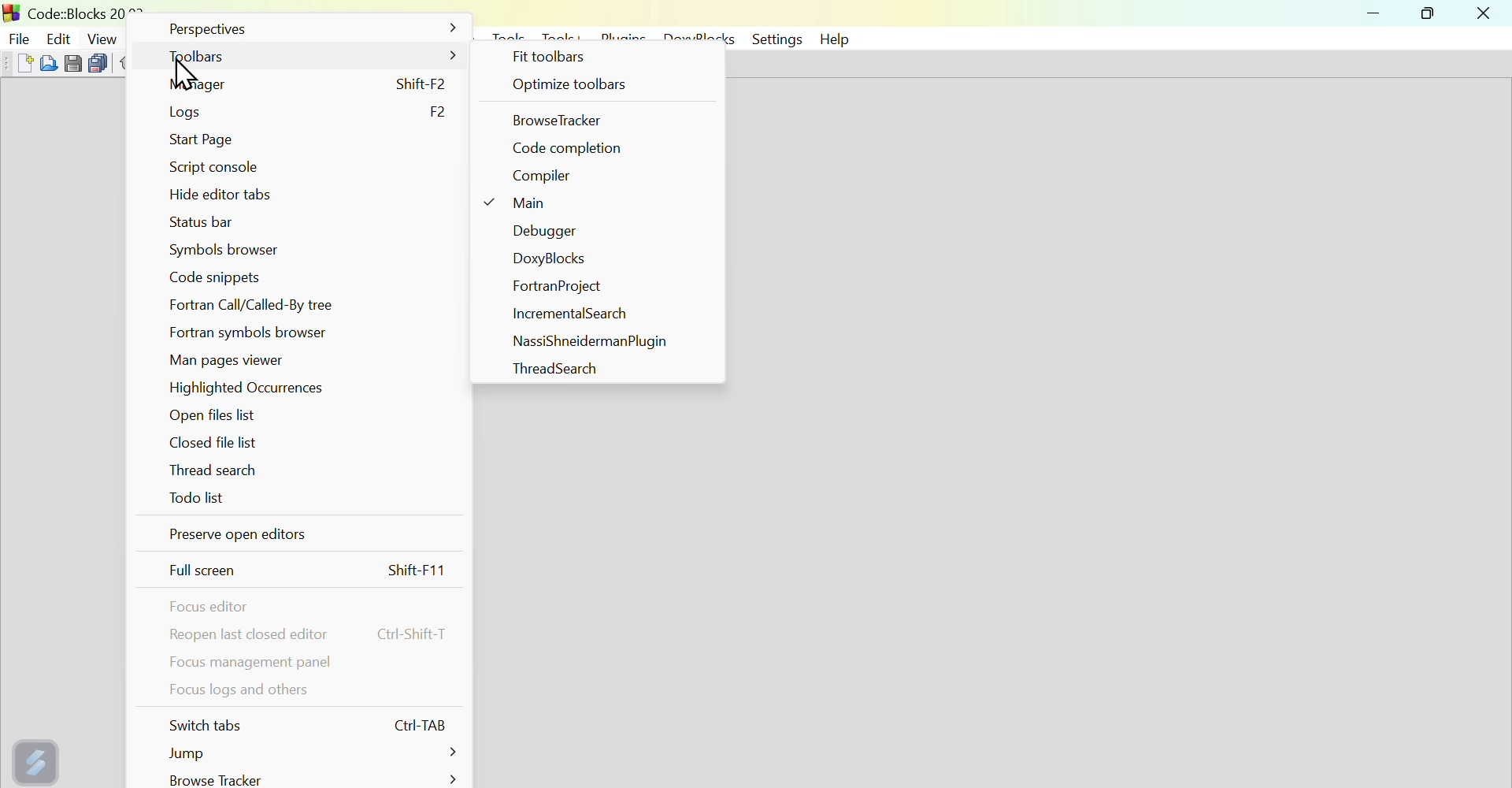  I want to click on screexpert, so click(39, 759).